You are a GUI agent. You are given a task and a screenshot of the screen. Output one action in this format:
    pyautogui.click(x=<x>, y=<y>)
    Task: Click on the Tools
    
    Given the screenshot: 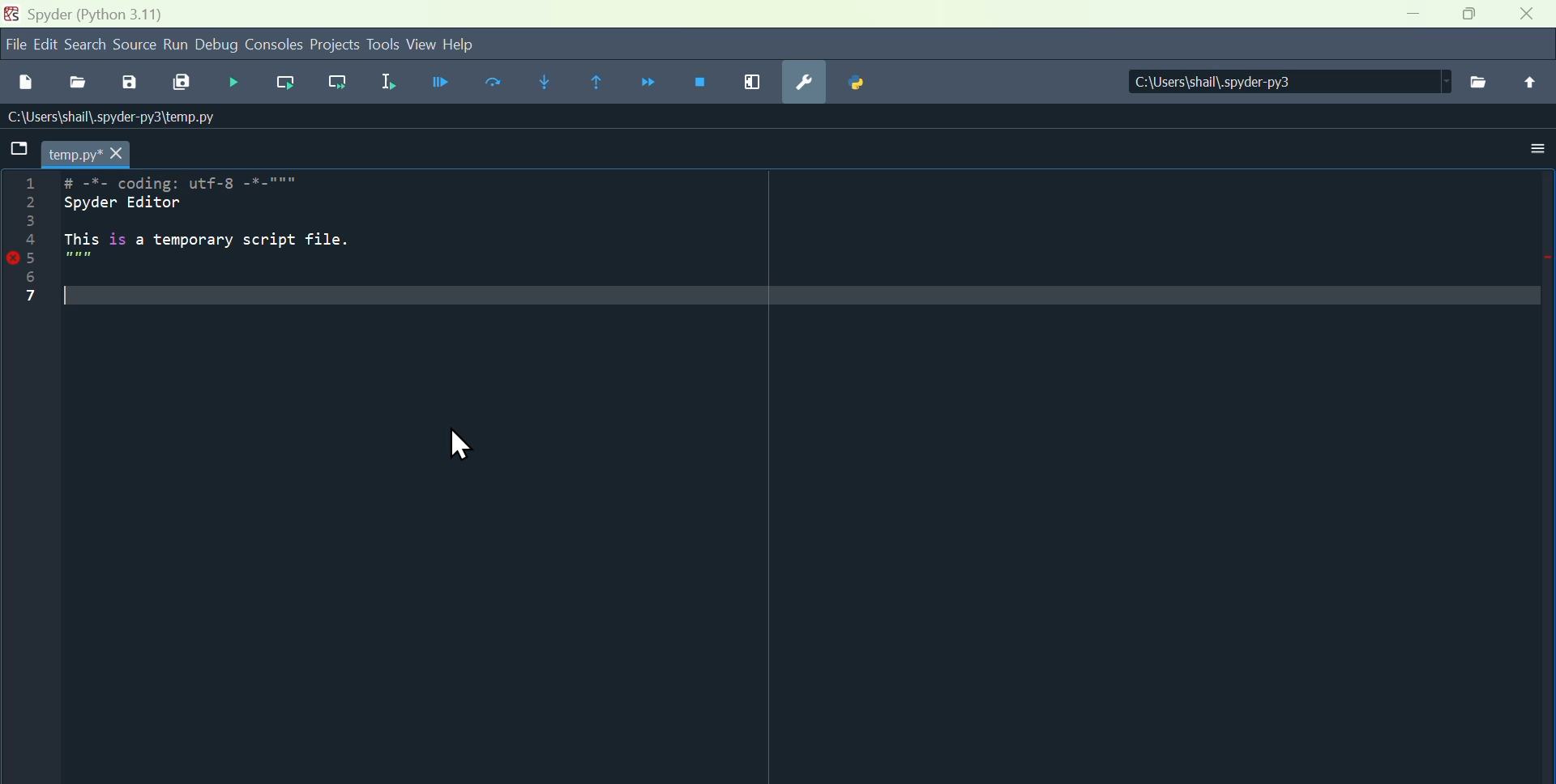 What is the action you would take?
    pyautogui.click(x=383, y=45)
    